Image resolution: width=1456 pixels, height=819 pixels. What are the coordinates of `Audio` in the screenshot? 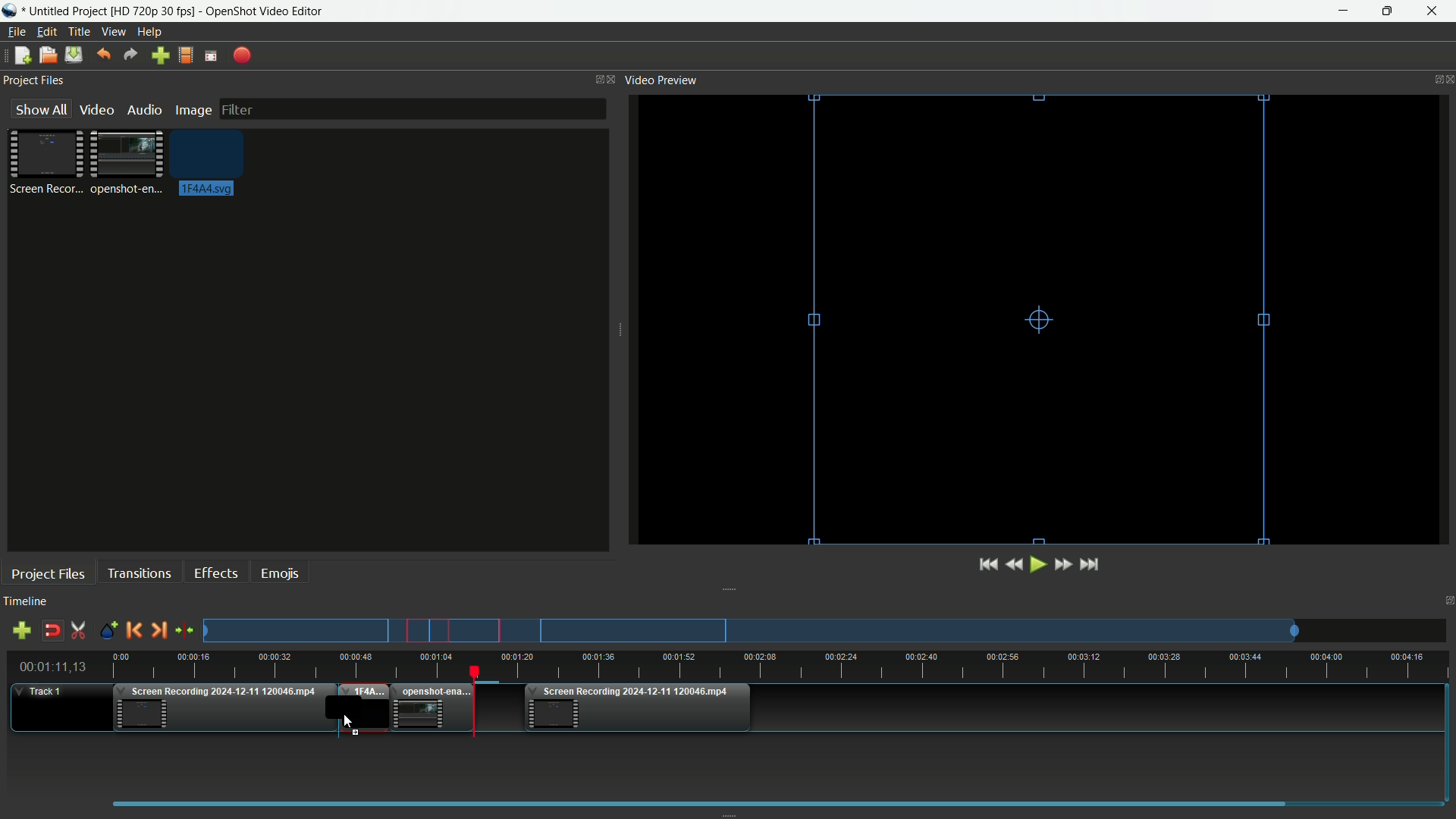 It's located at (144, 110).